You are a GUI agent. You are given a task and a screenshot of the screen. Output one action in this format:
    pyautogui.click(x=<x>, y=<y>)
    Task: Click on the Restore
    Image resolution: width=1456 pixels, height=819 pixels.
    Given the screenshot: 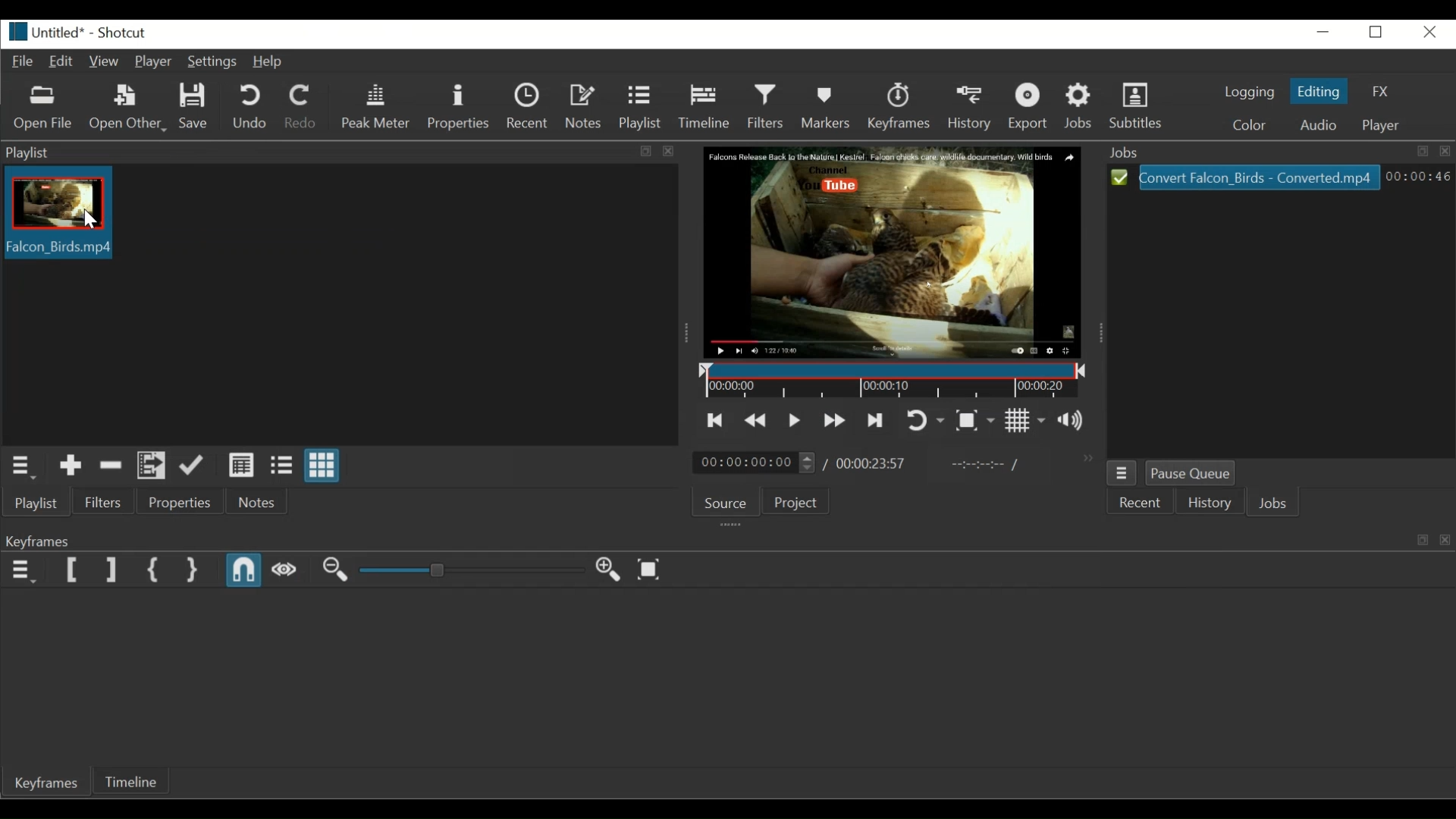 What is the action you would take?
    pyautogui.click(x=642, y=152)
    